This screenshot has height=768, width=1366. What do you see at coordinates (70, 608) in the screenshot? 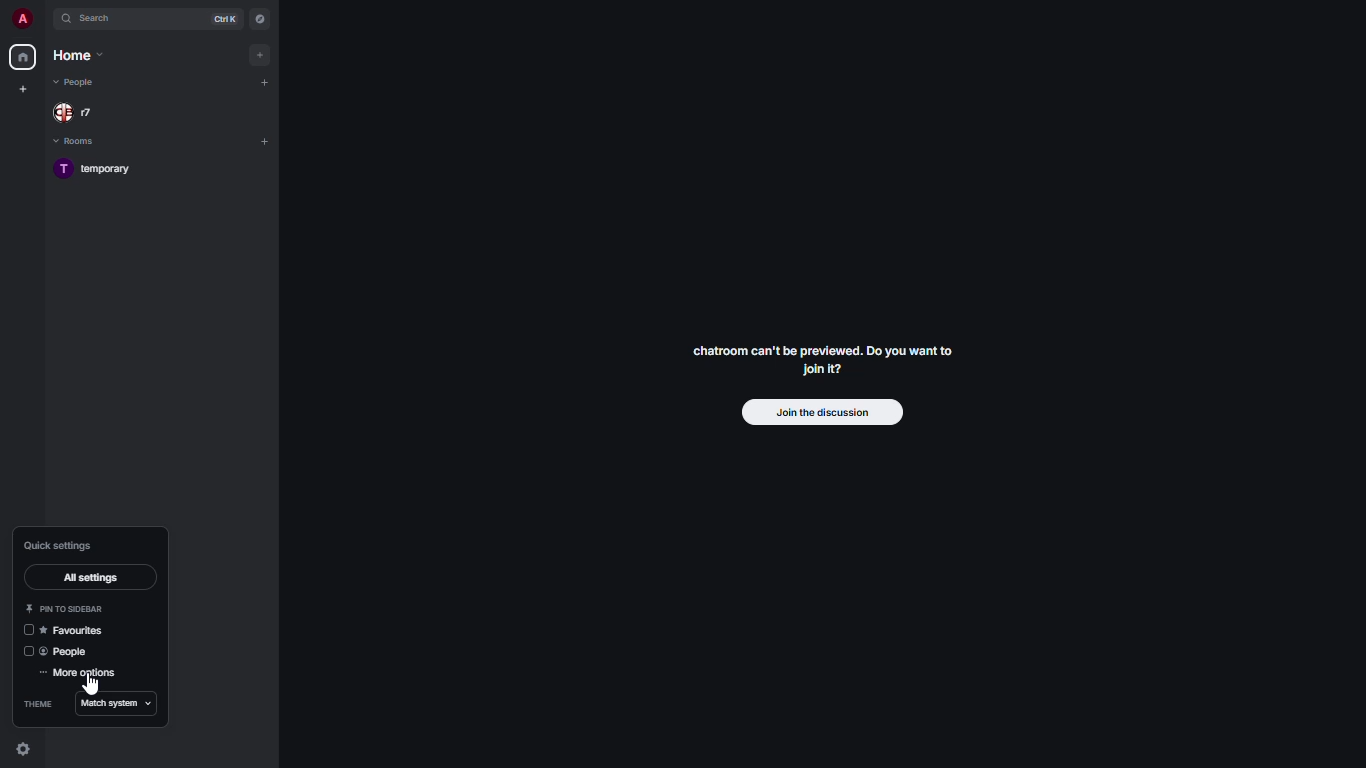
I see `pin to sidebar` at bounding box center [70, 608].